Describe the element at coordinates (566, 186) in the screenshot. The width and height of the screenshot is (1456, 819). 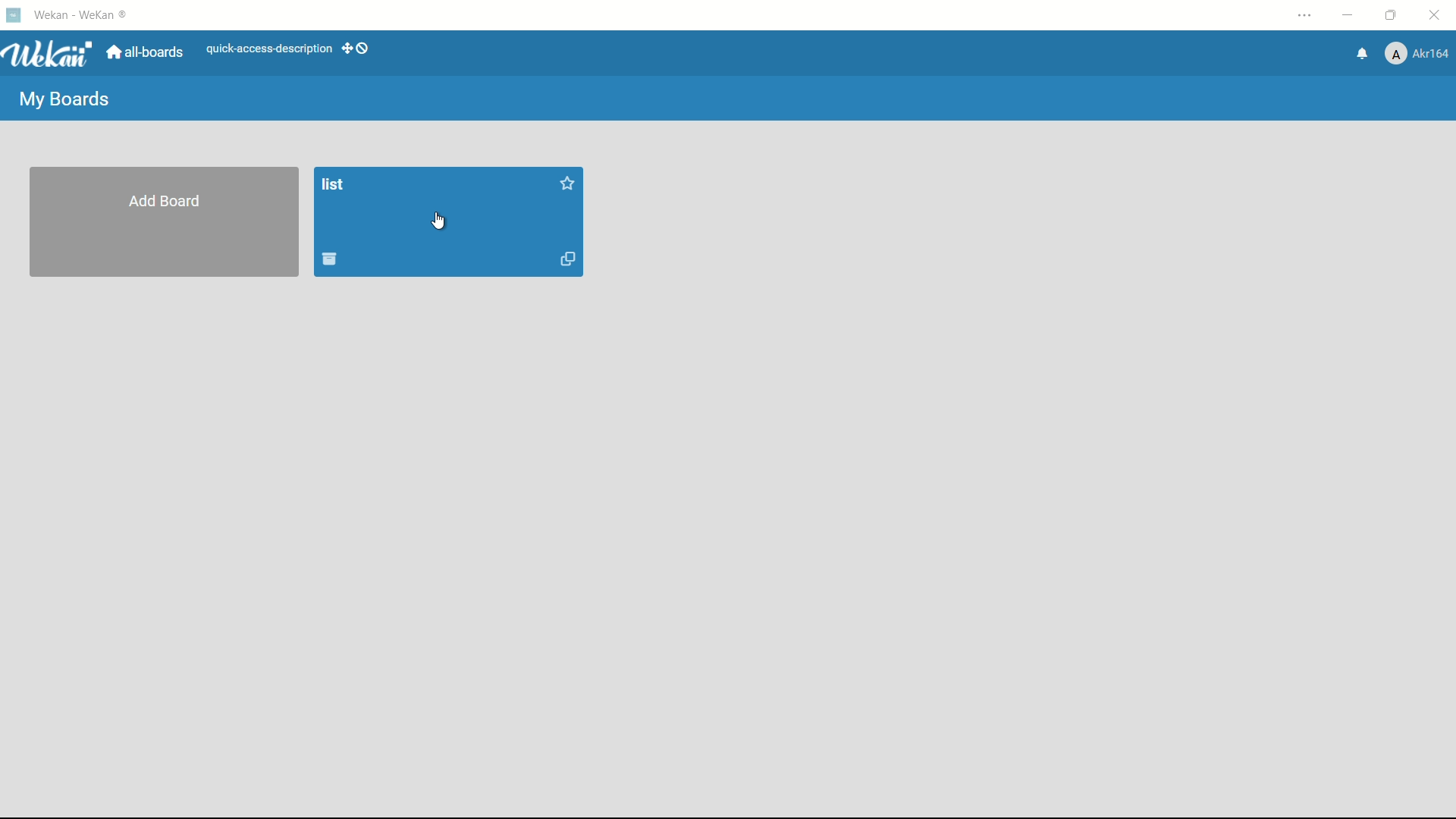
I see `star` at that location.